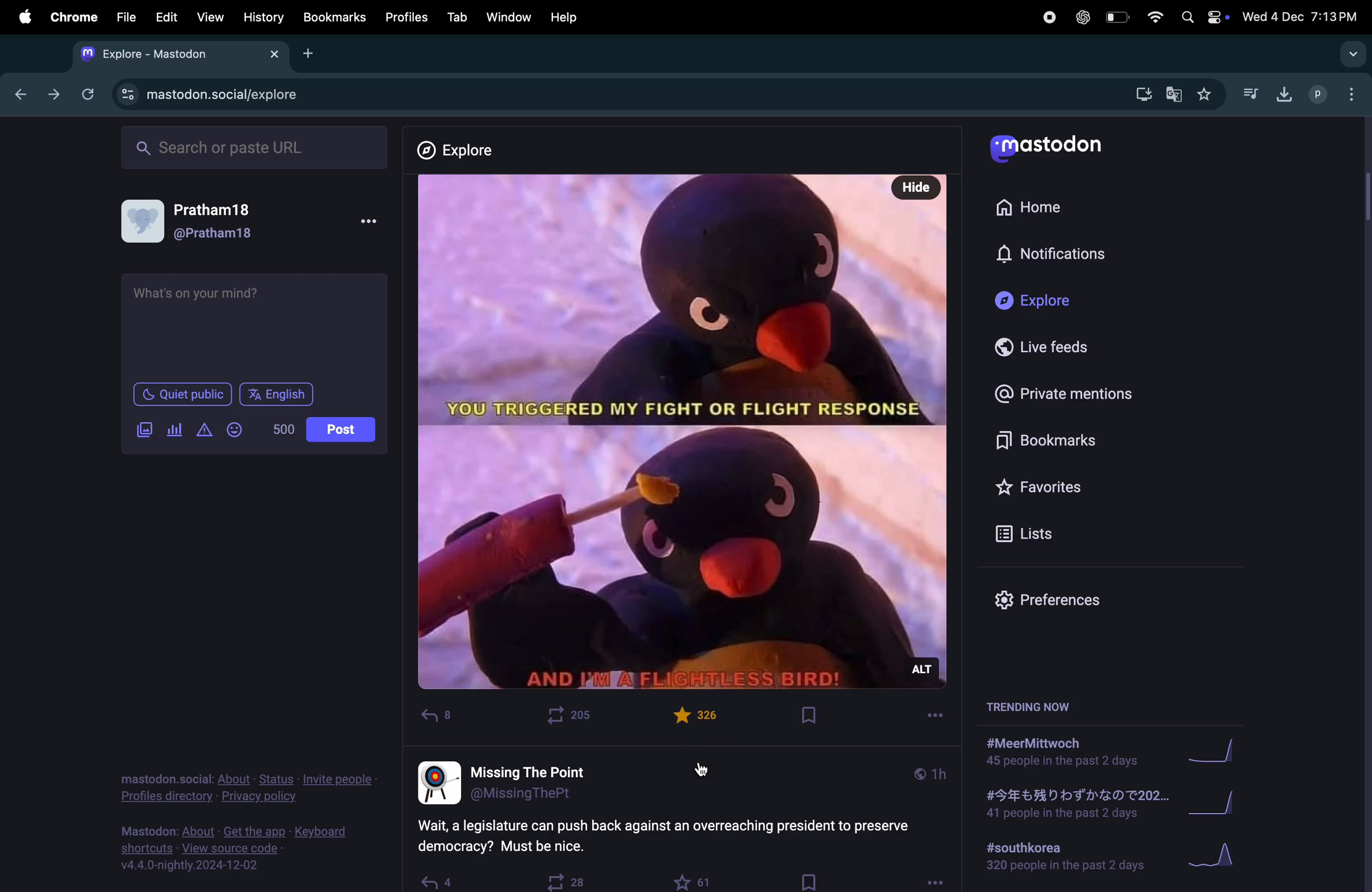  I want to click on mastdon, so click(209, 95).